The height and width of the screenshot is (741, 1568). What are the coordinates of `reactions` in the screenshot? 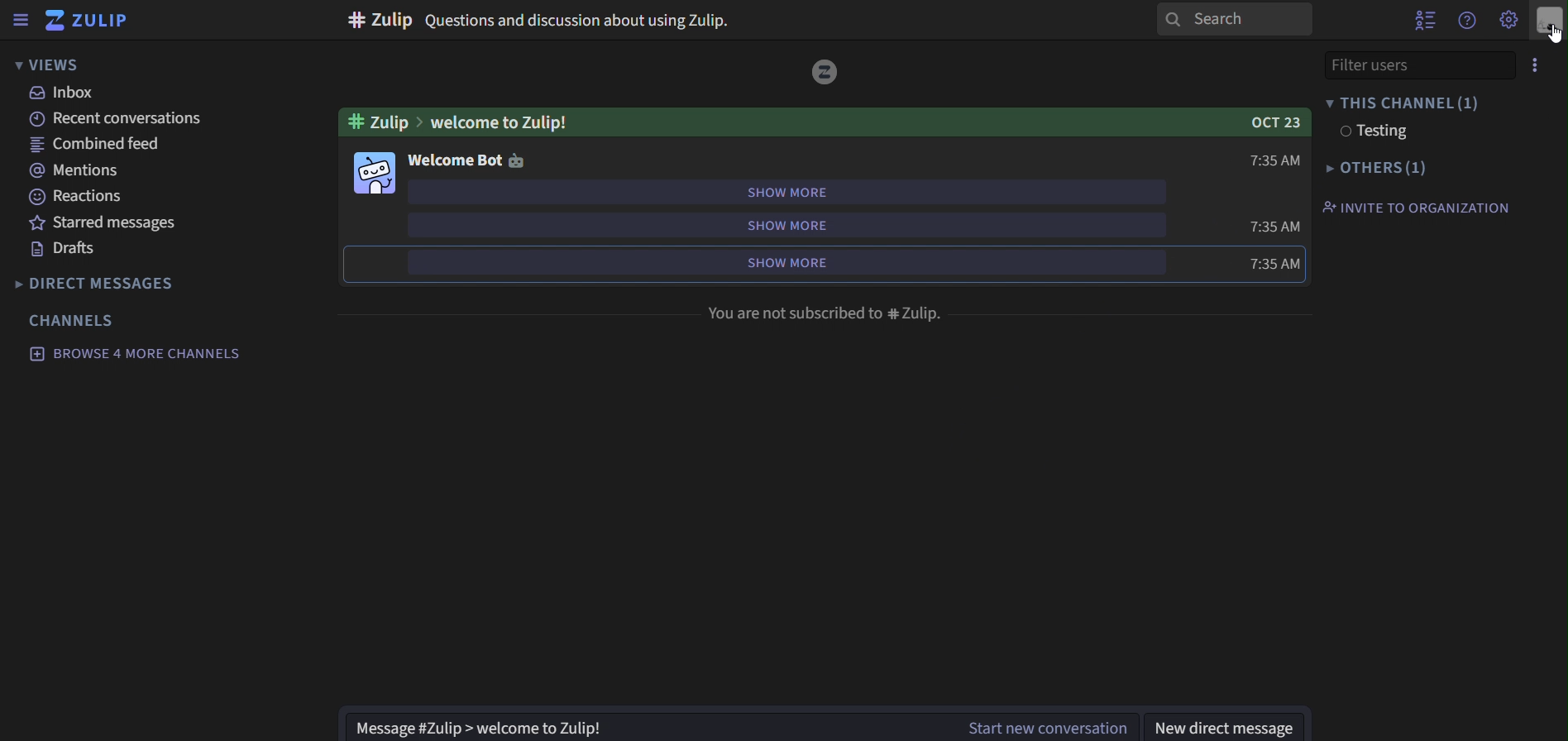 It's located at (83, 197).